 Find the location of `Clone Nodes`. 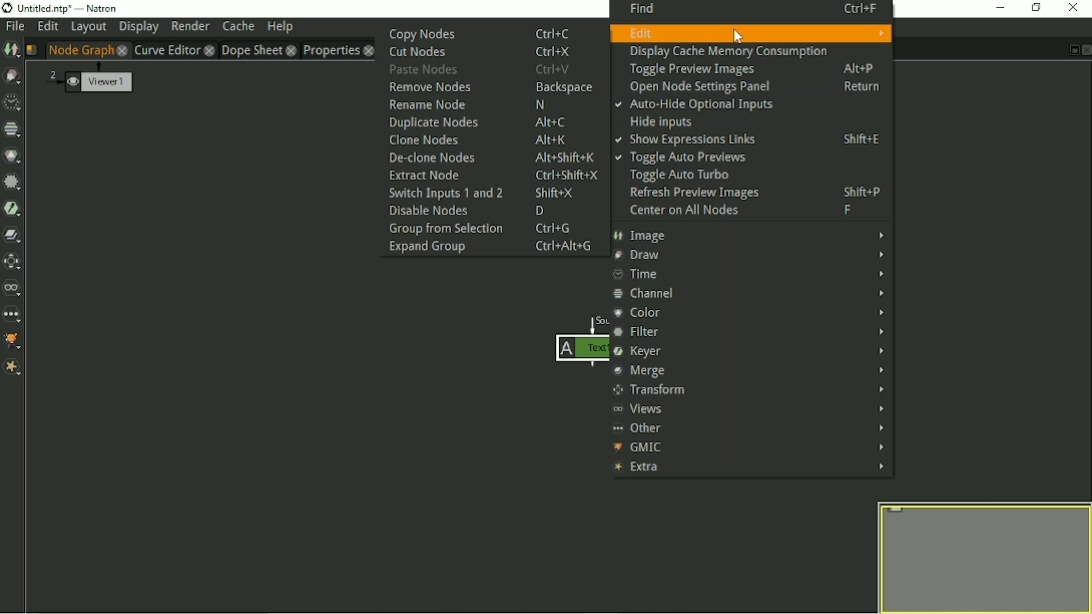

Clone Nodes is located at coordinates (478, 140).